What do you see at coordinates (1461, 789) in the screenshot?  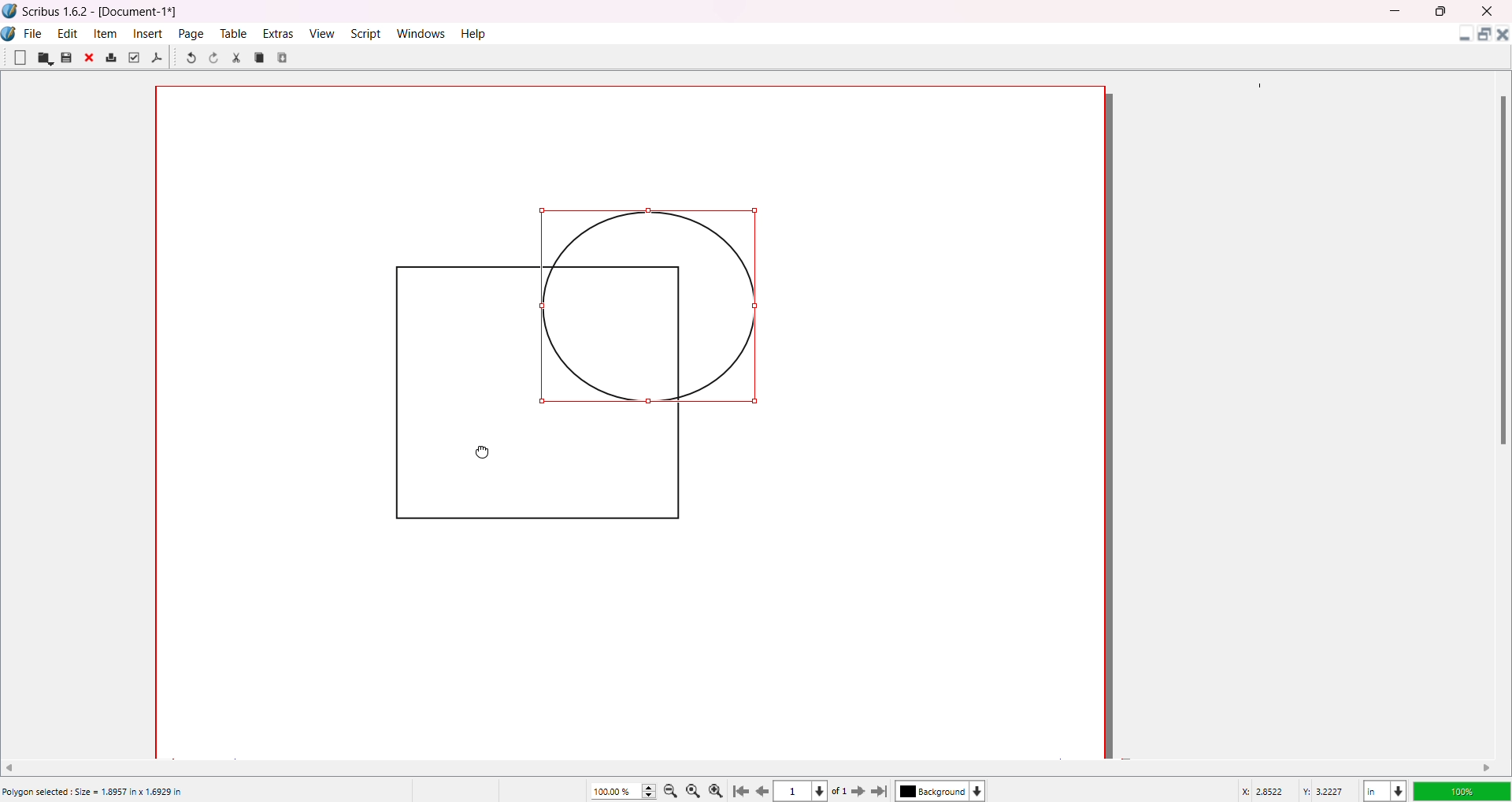 I see `Opacity` at bounding box center [1461, 789].